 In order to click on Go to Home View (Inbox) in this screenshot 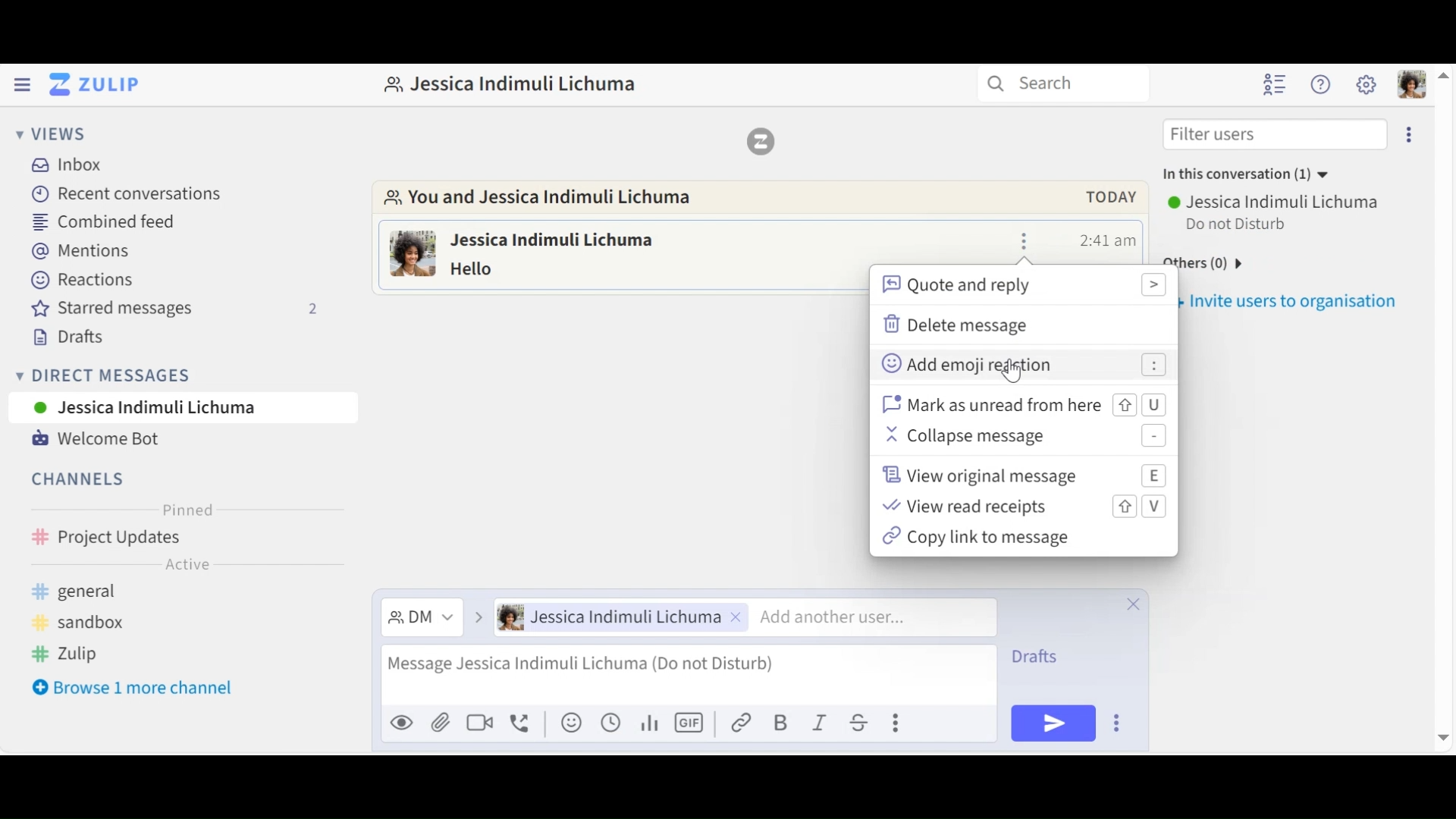, I will do `click(93, 85)`.